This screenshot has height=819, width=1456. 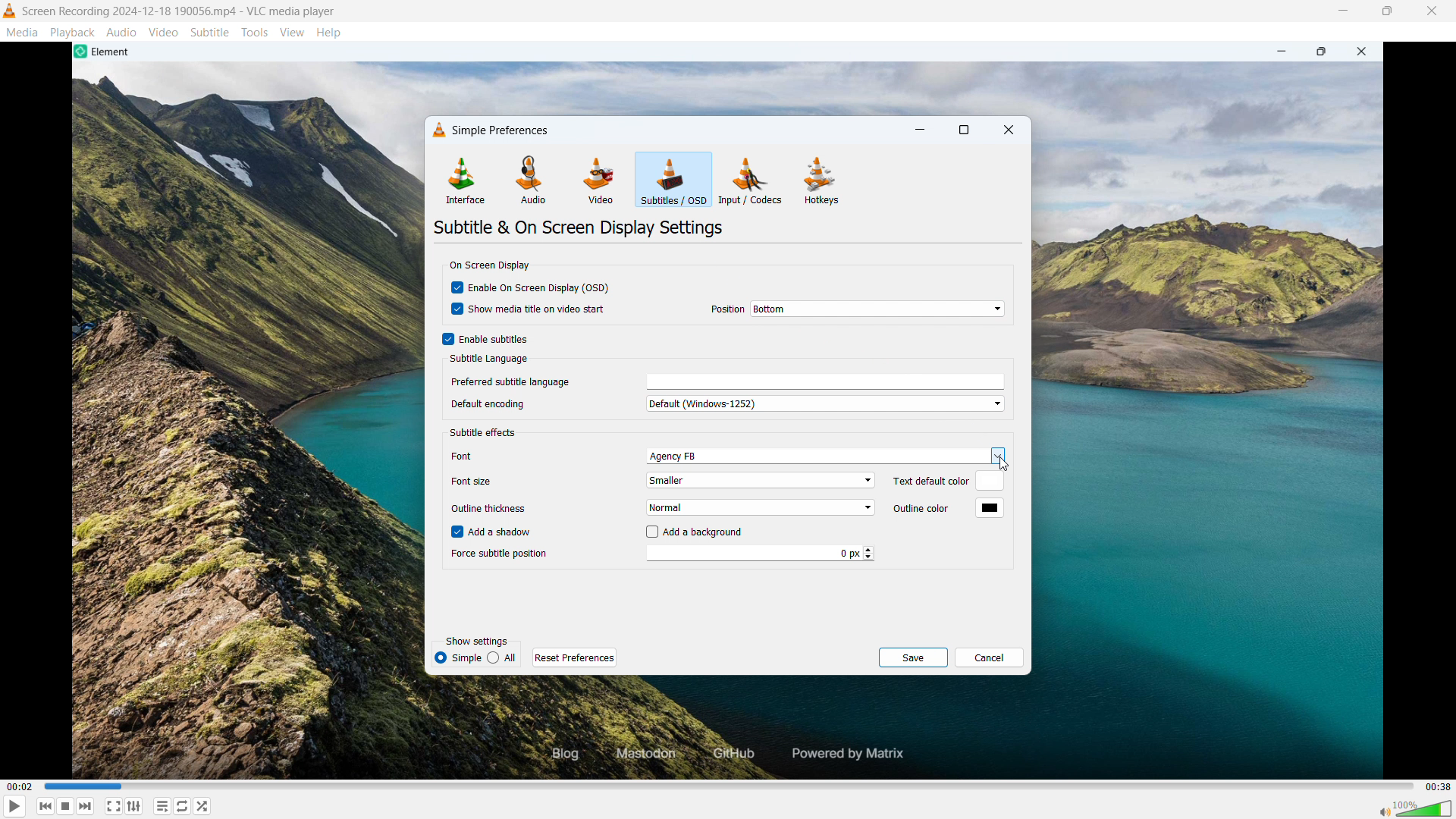 I want to click on Font size, so click(x=478, y=482).